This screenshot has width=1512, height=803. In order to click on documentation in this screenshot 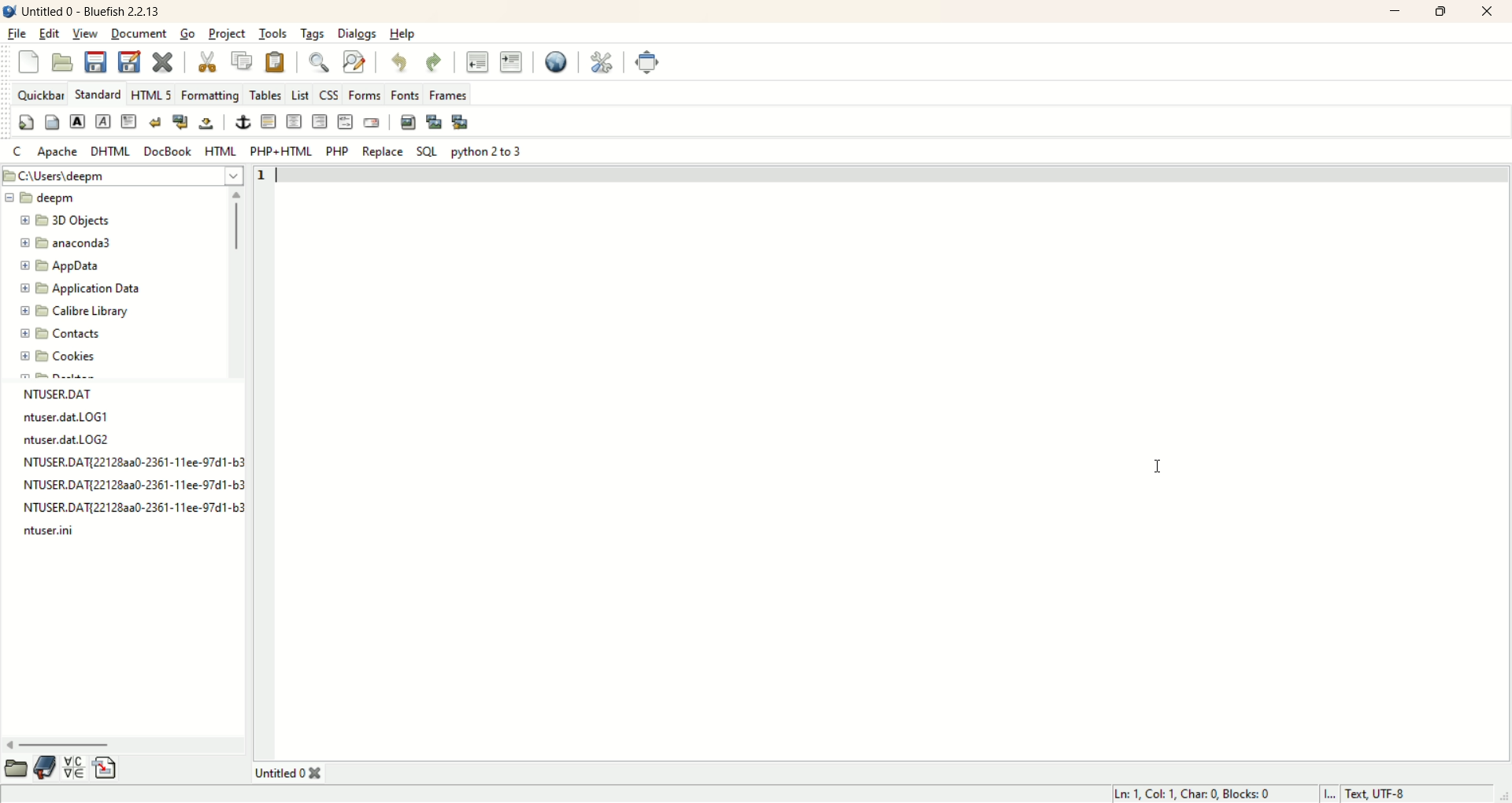, I will do `click(43, 767)`.